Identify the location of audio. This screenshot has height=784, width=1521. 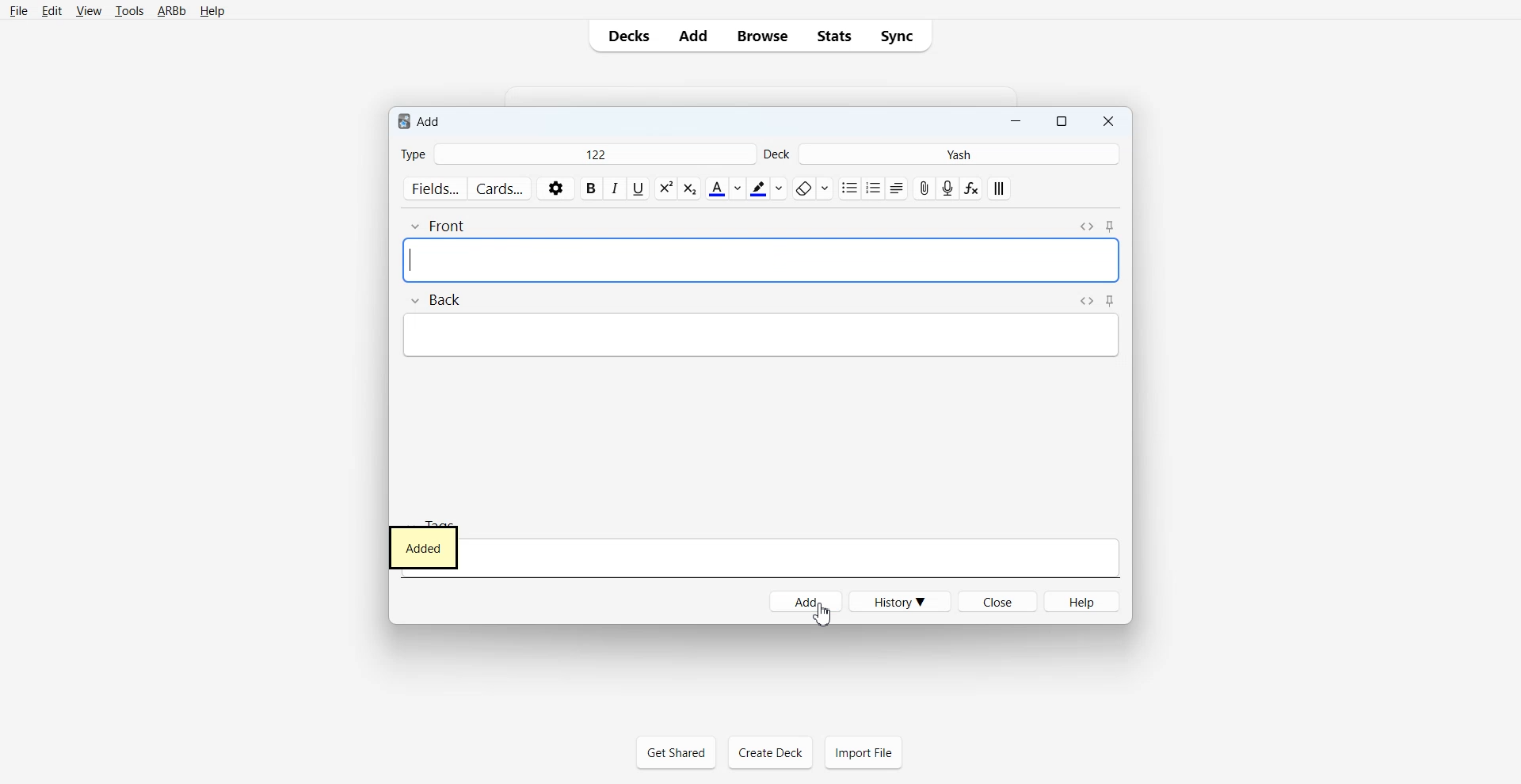
(947, 188).